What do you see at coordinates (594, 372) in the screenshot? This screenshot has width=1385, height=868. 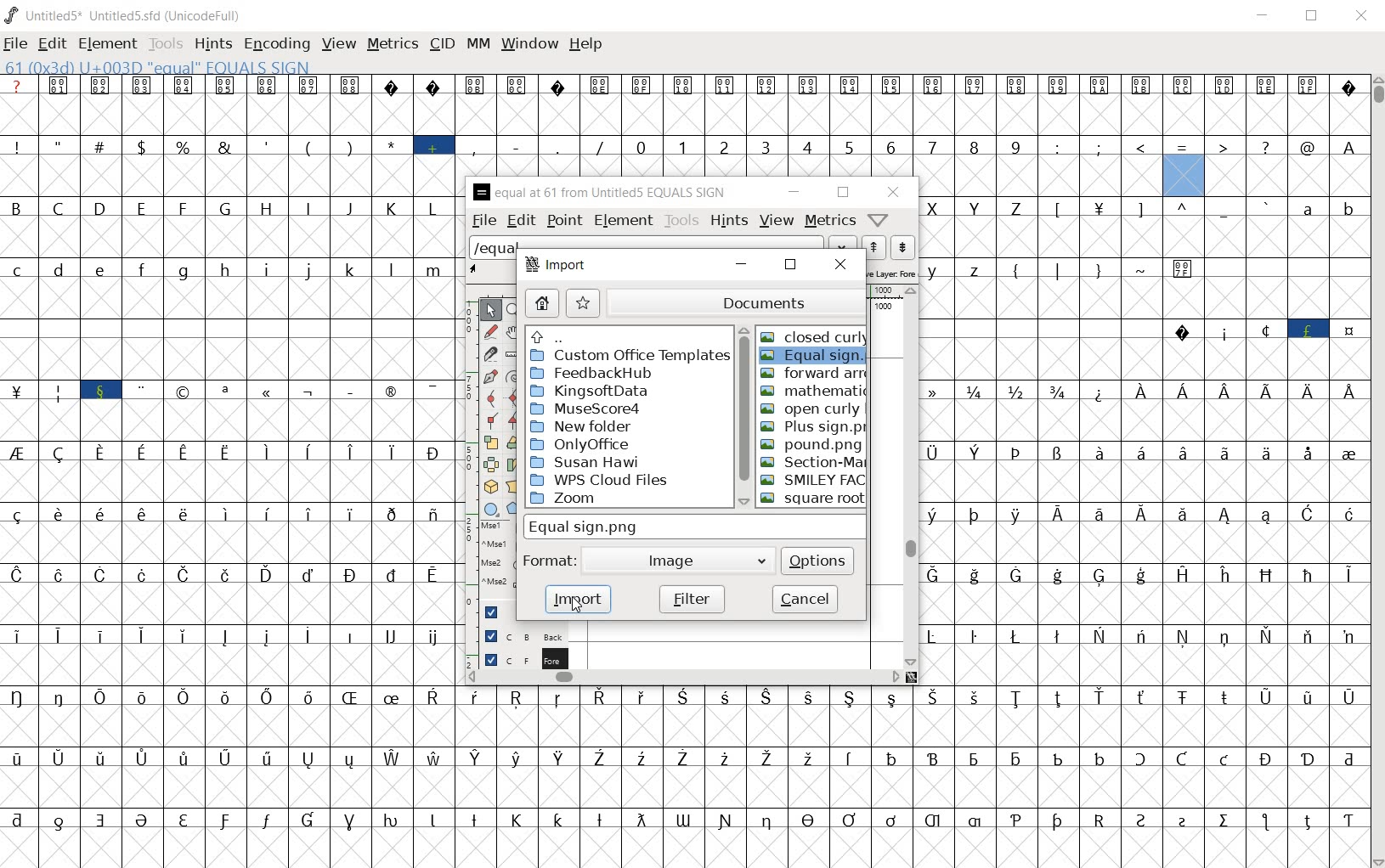 I see `feedbackHub` at bounding box center [594, 372].